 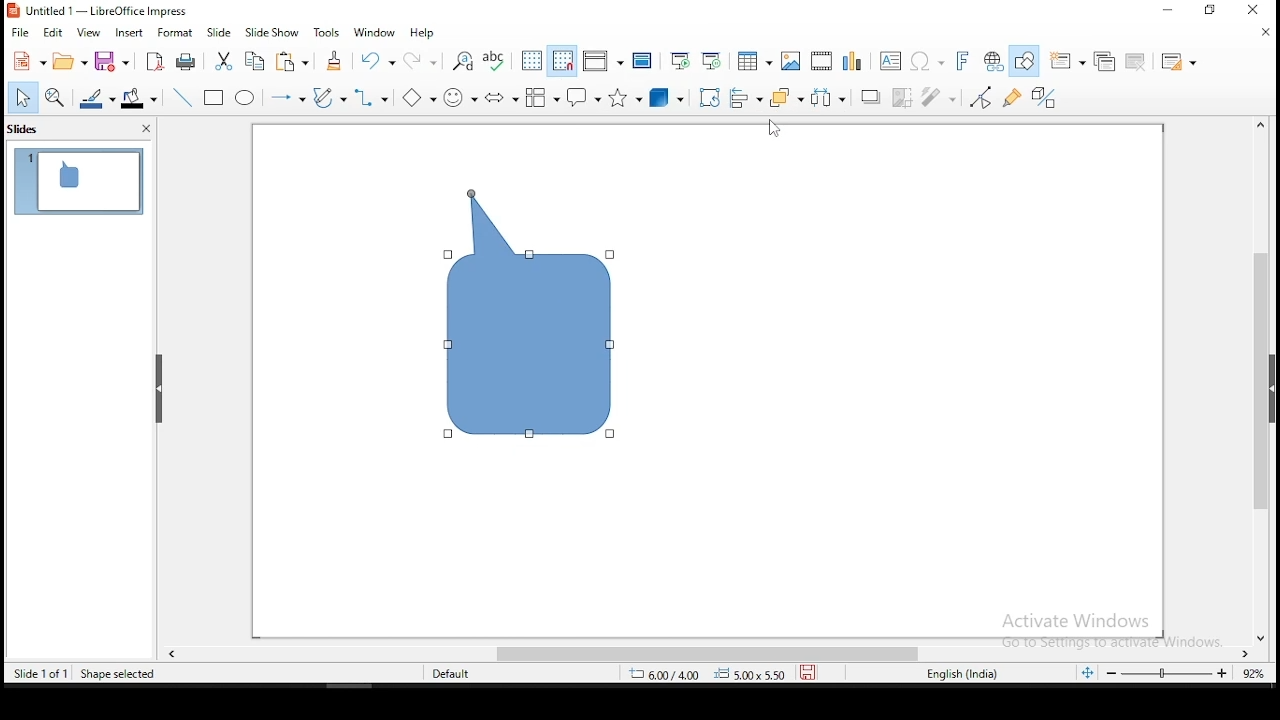 I want to click on connectors, so click(x=371, y=98).